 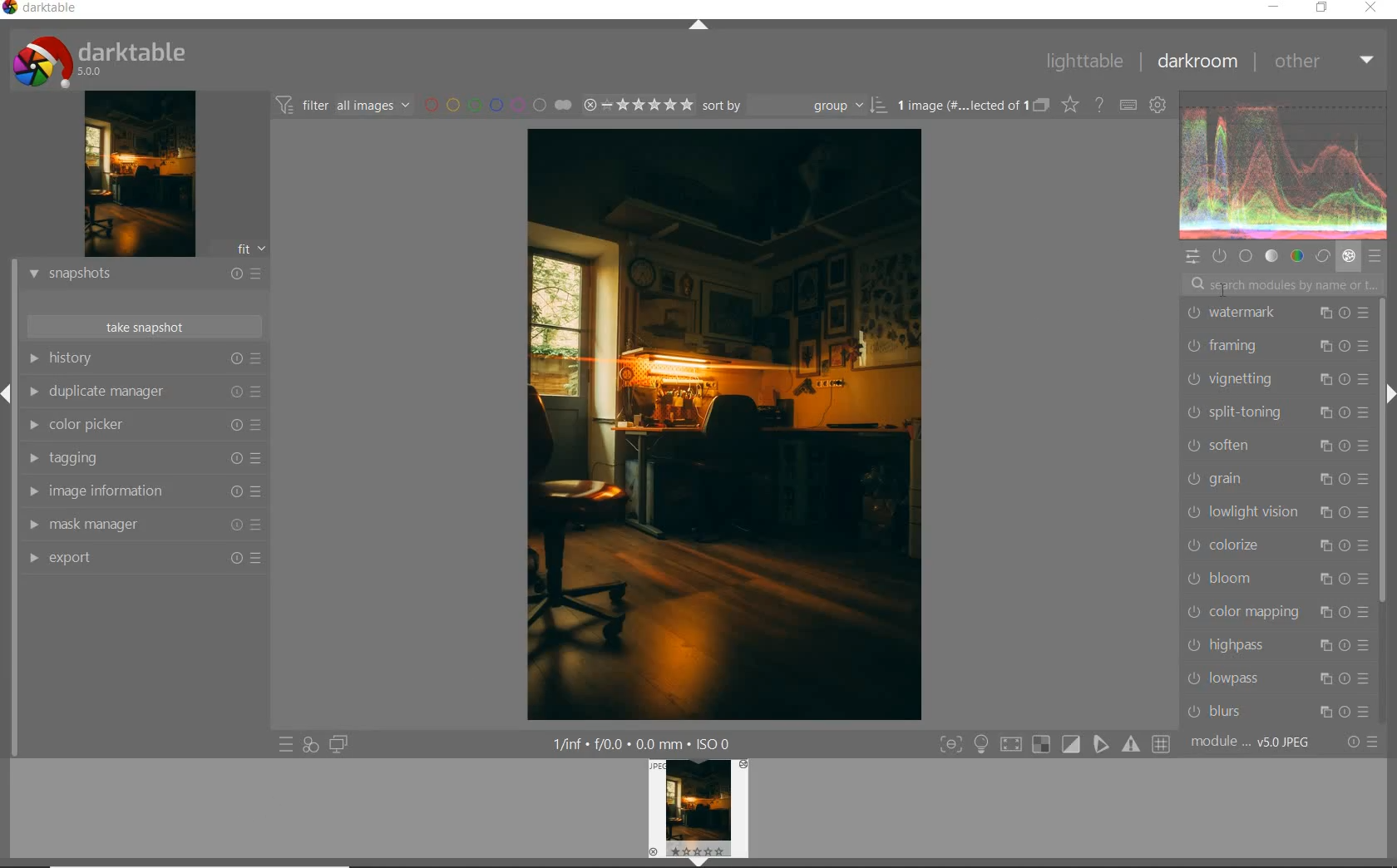 I want to click on image preview, so click(x=703, y=811).